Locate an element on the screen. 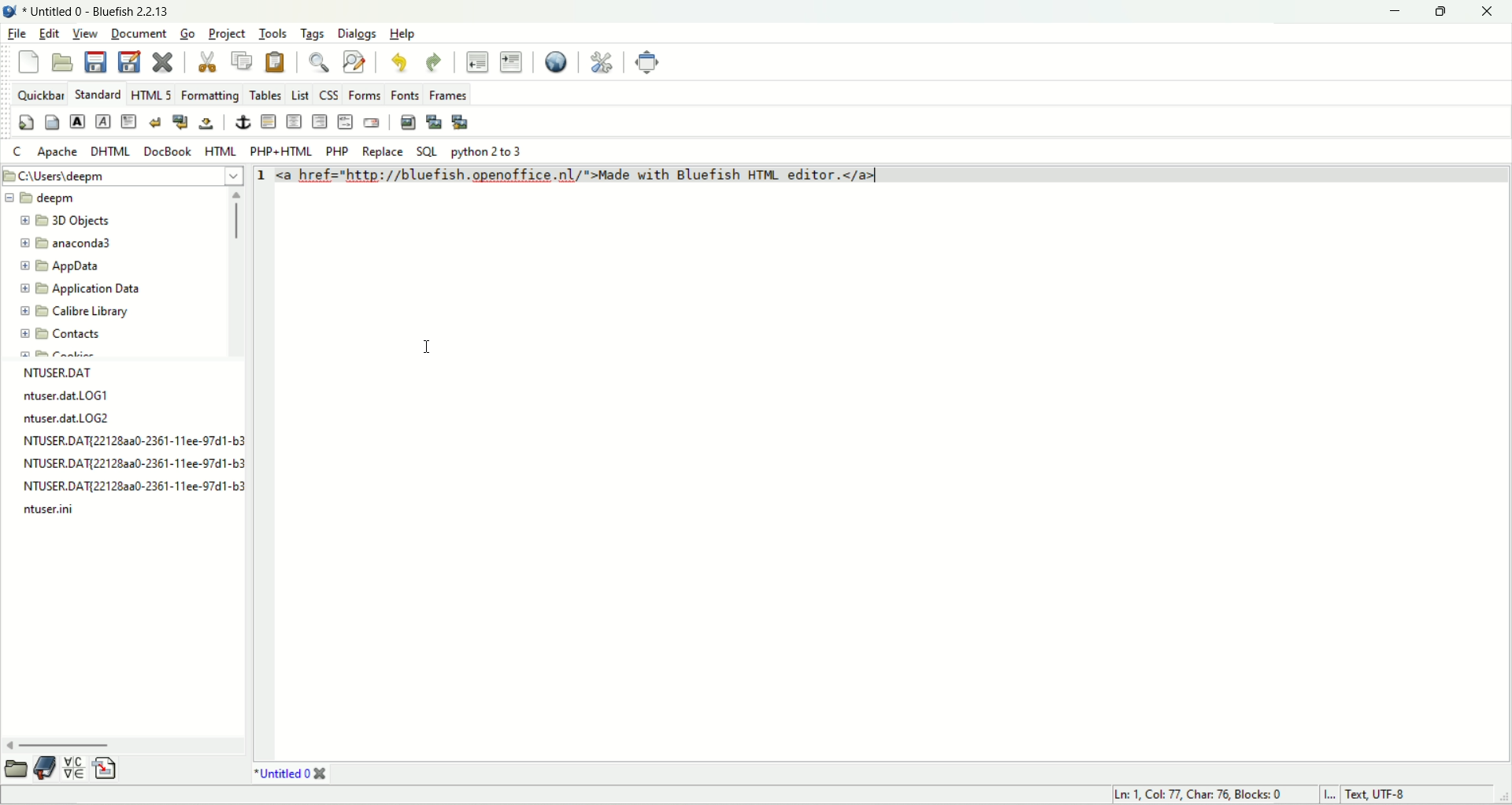 Image resolution: width=1512 pixels, height=805 pixels. break is located at coordinates (154, 120).